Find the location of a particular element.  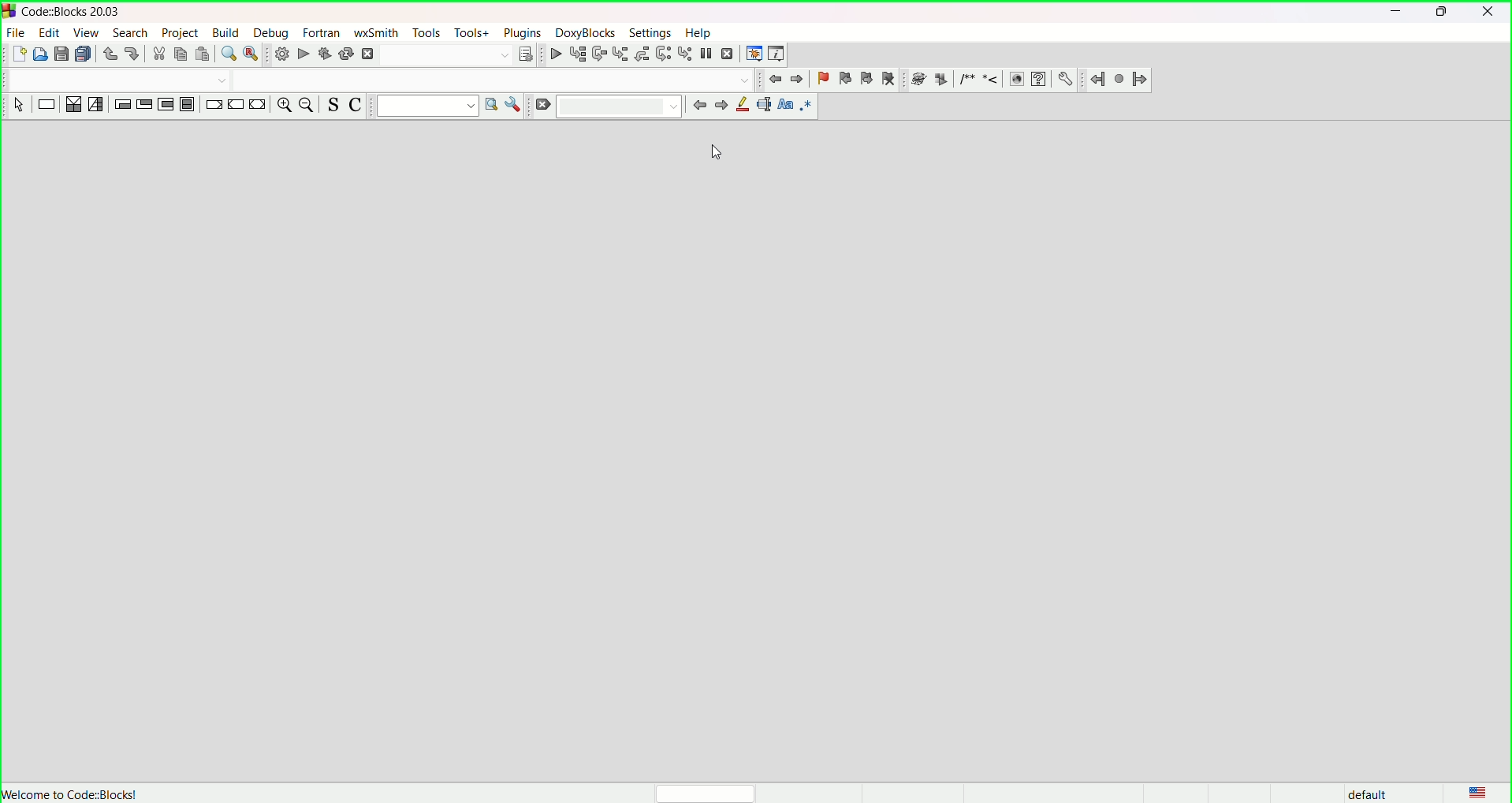

Preferences is located at coordinates (1066, 79).